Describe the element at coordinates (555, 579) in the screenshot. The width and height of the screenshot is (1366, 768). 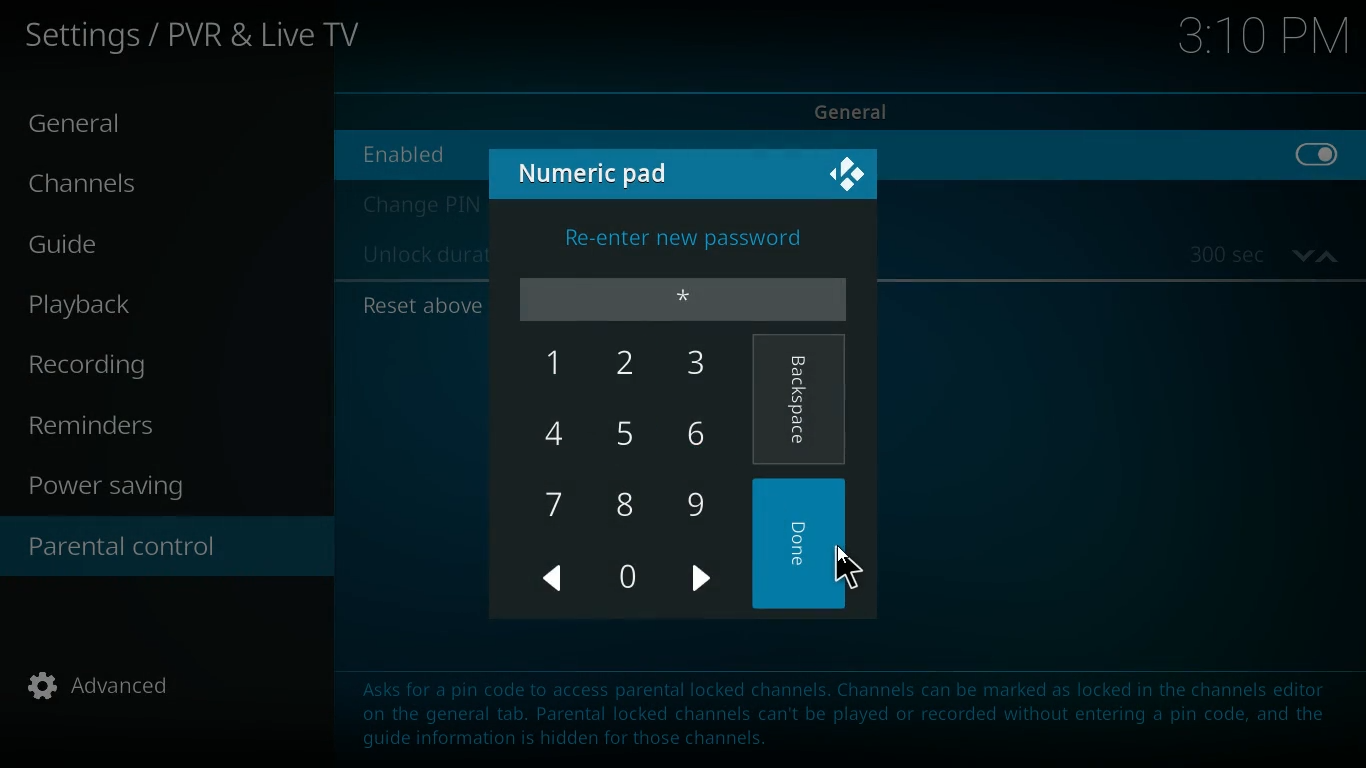
I see `left` at that location.